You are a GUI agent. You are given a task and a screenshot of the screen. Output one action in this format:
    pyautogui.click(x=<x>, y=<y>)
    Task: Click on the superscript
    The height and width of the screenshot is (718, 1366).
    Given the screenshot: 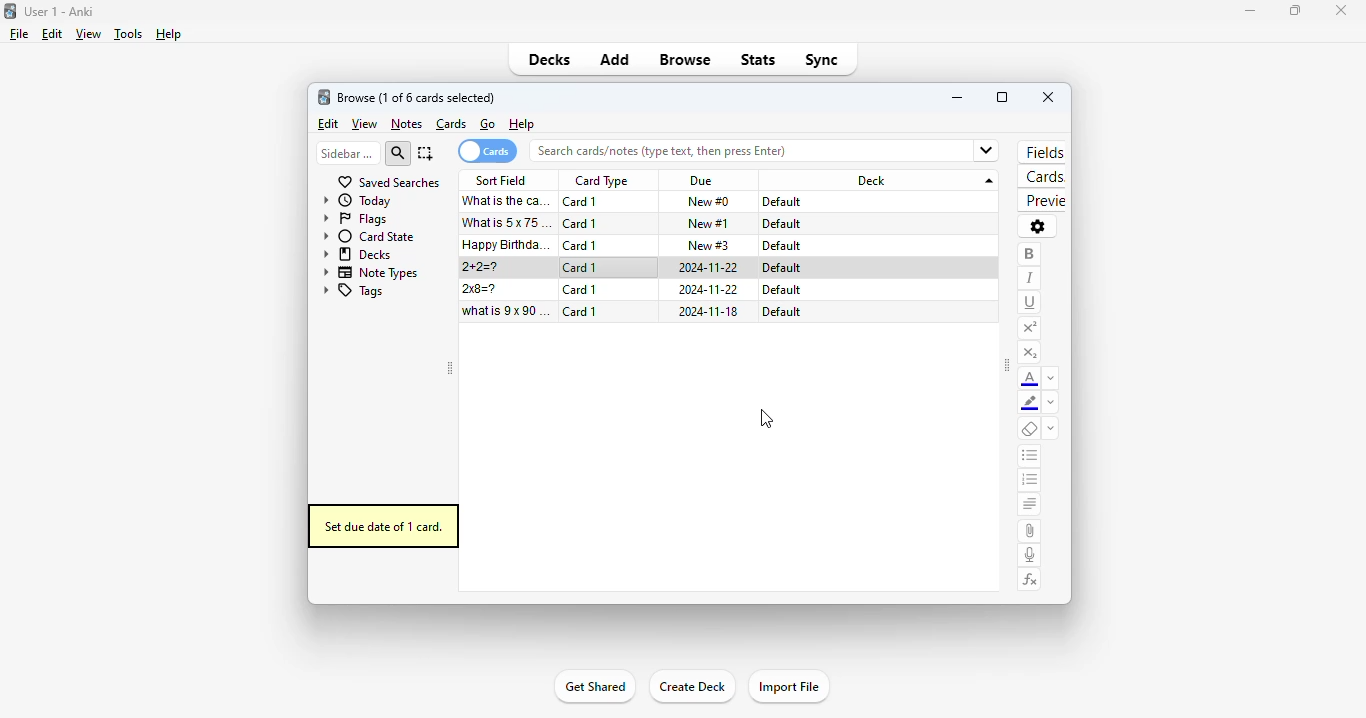 What is the action you would take?
    pyautogui.click(x=1029, y=328)
    